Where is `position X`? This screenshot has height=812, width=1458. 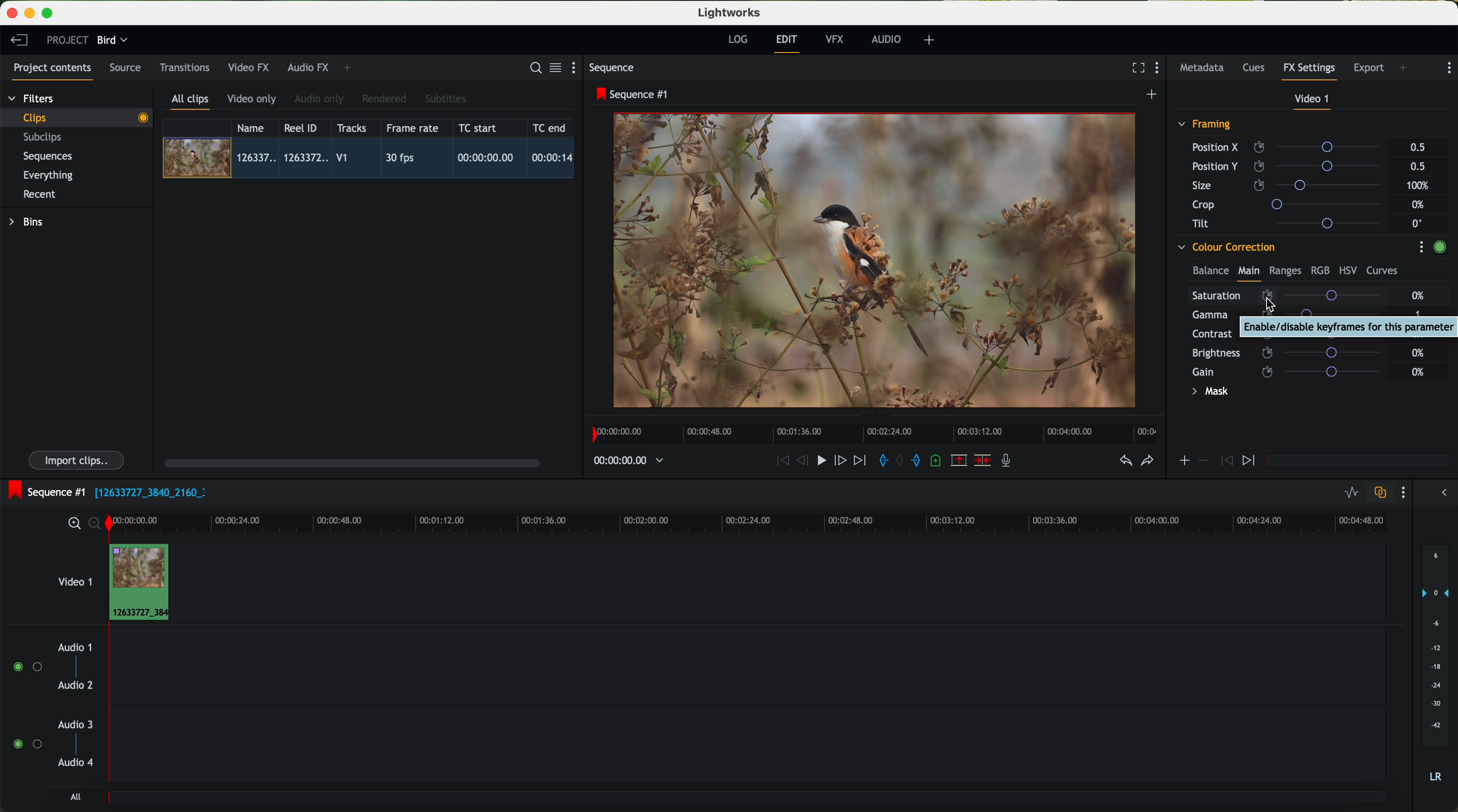 position X is located at coordinates (1290, 147).